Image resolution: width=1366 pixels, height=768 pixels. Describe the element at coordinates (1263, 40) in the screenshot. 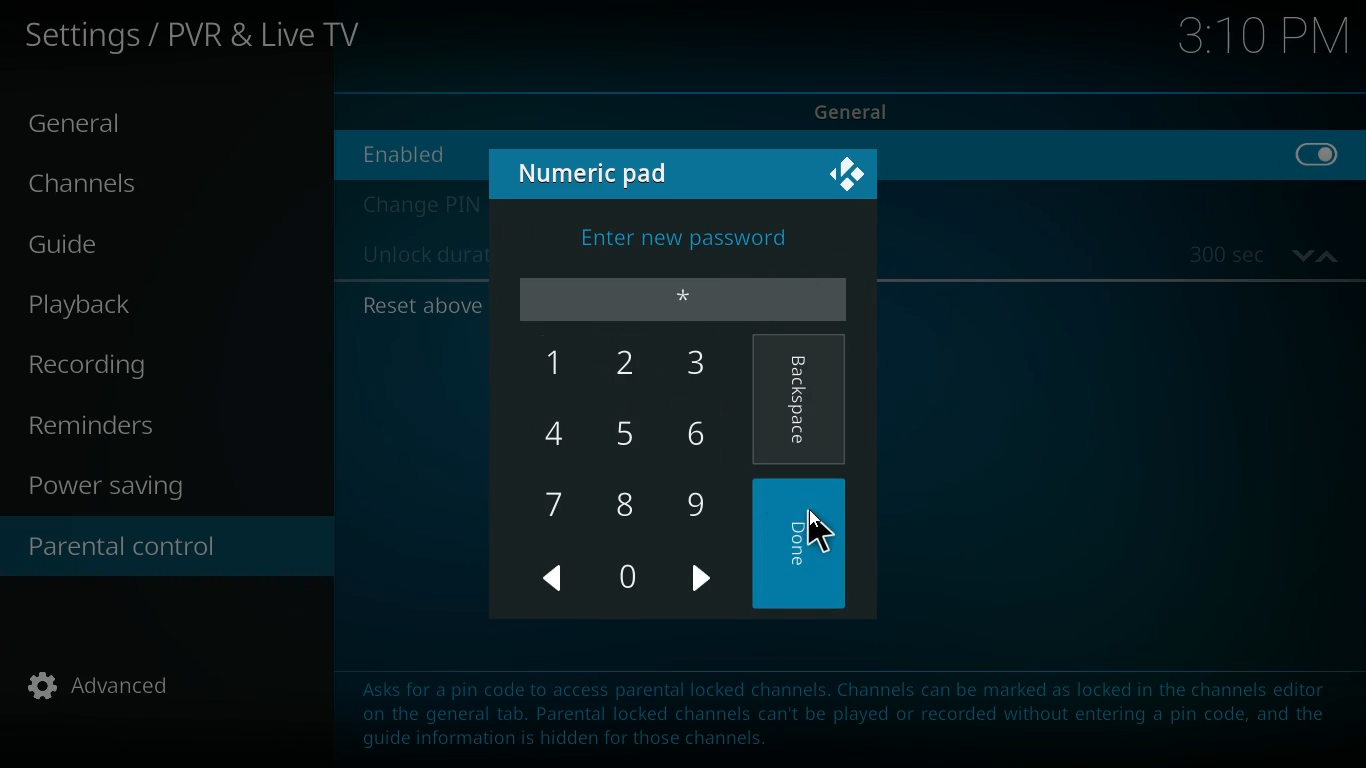

I see `time` at that location.